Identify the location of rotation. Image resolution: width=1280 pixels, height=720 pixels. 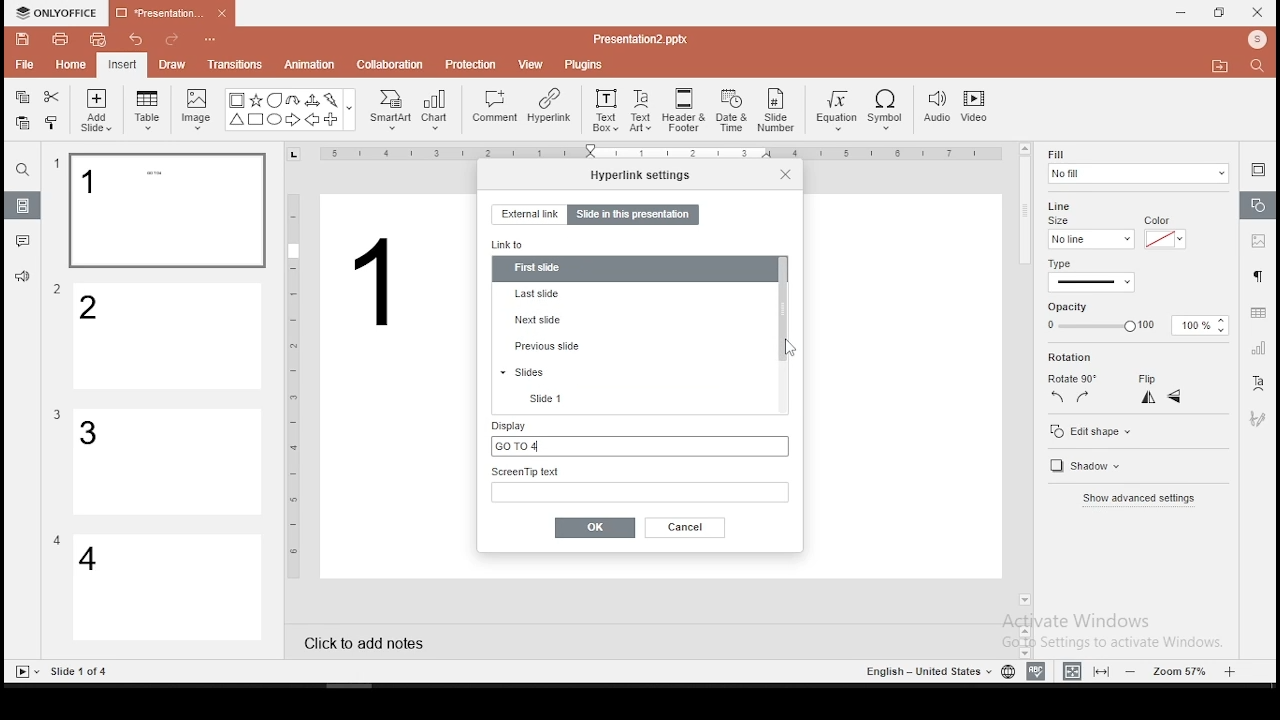
(1103, 358).